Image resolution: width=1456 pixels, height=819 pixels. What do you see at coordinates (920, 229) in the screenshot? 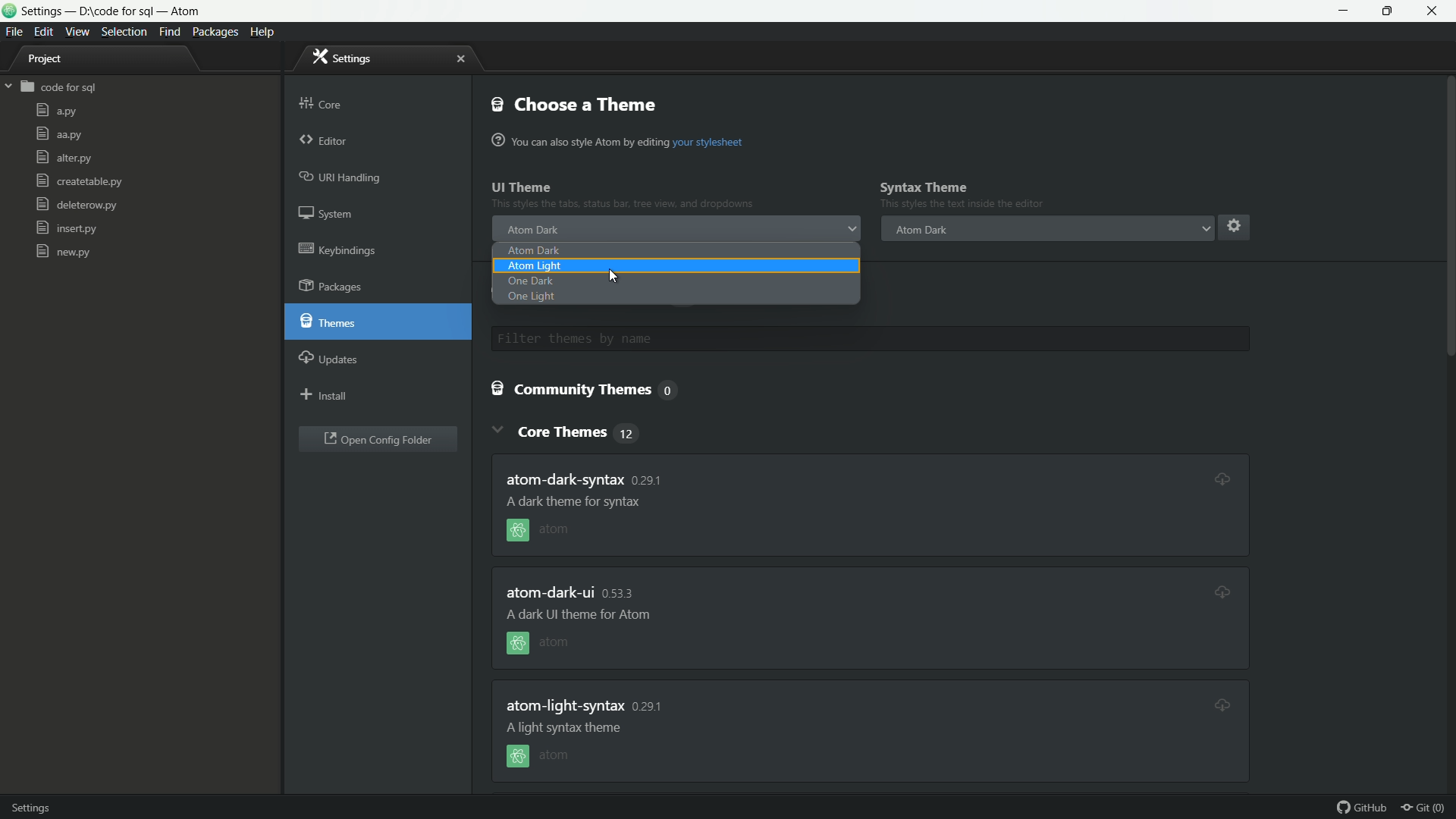
I see `atom dark` at bounding box center [920, 229].